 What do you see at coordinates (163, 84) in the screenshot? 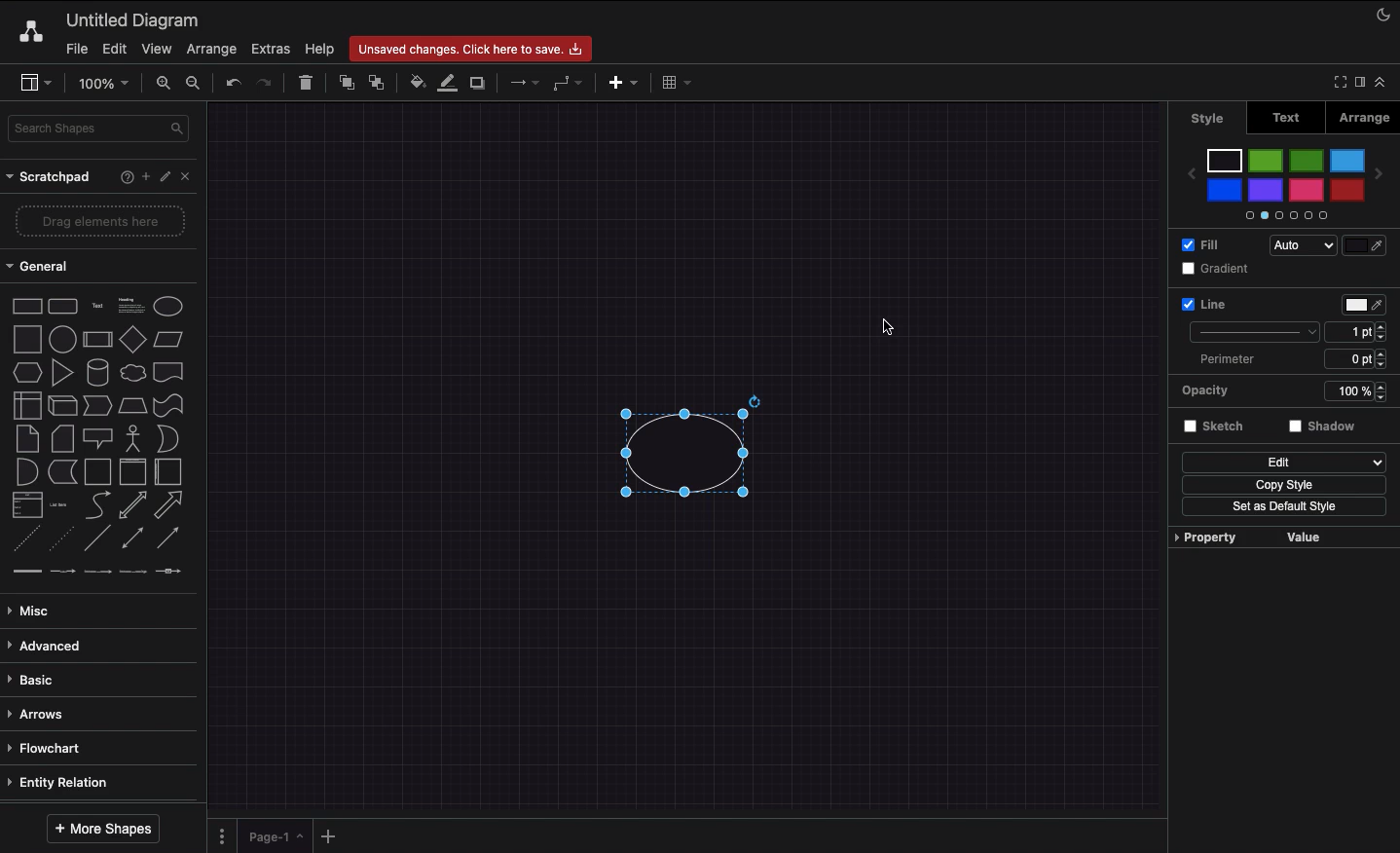
I see `Zoom in` at bounding box center [163, 84].